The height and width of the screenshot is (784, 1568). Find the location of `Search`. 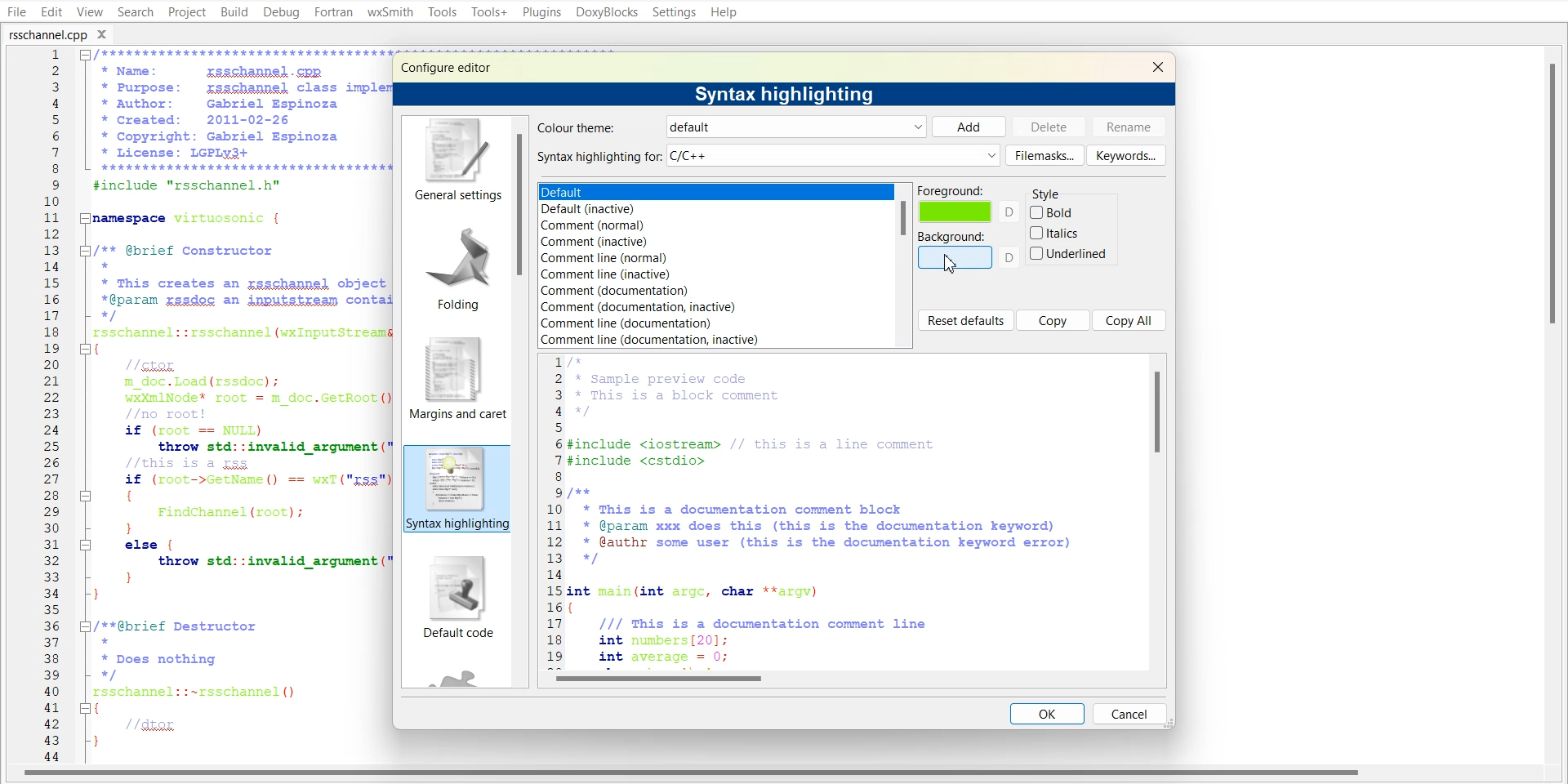

Search is located at coordinates (136, 11).